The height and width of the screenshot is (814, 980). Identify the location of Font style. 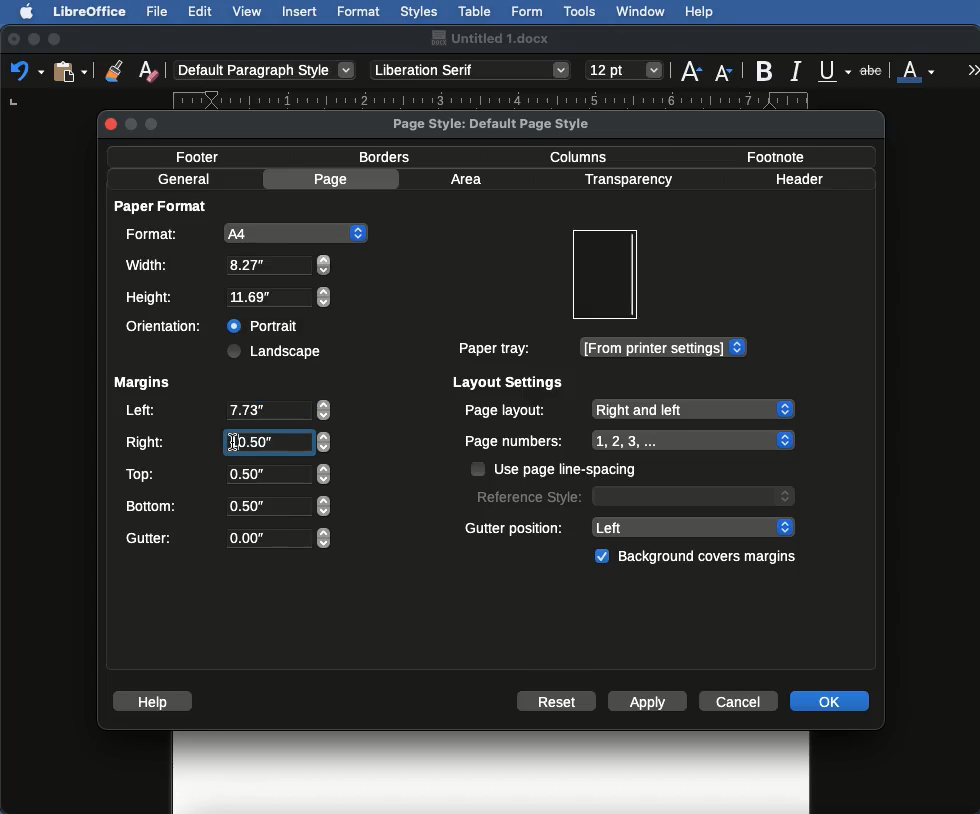
(472, 70).